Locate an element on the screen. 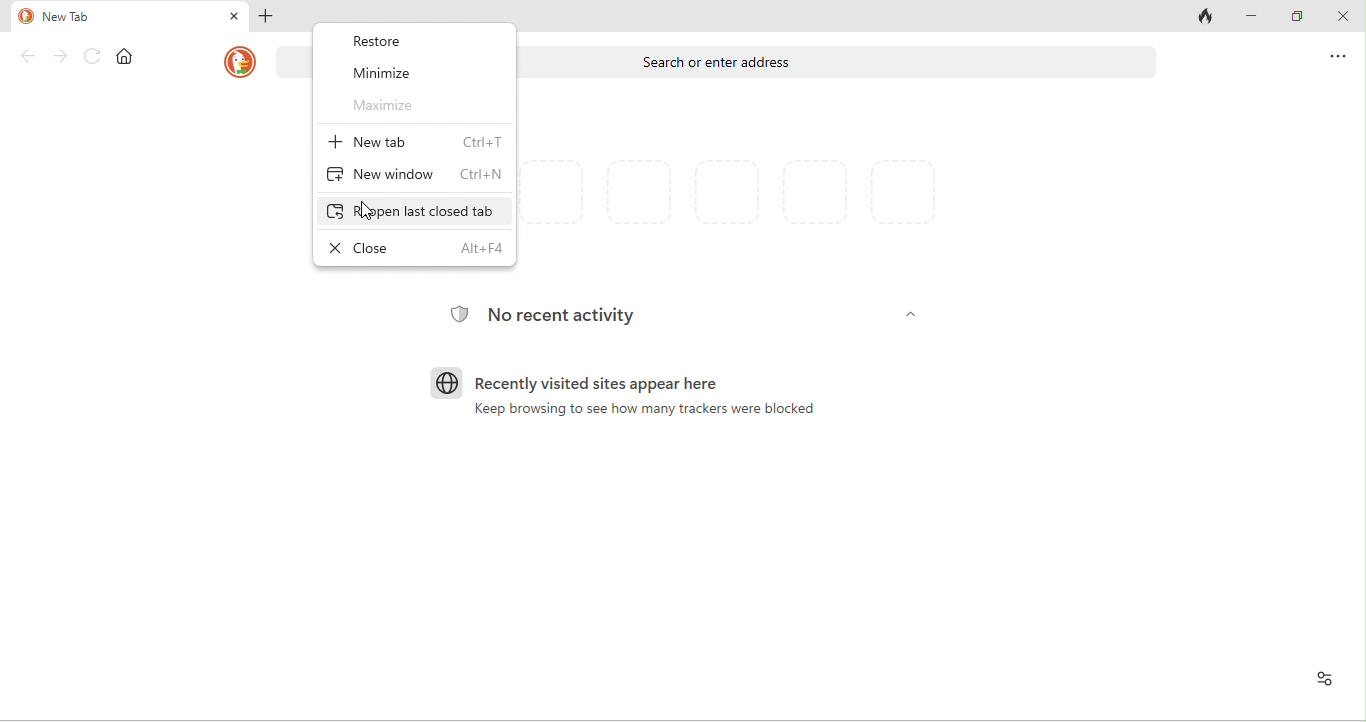 This screenshot has height=722, width=1366. cursor movement is located at coordinates (369, 211).